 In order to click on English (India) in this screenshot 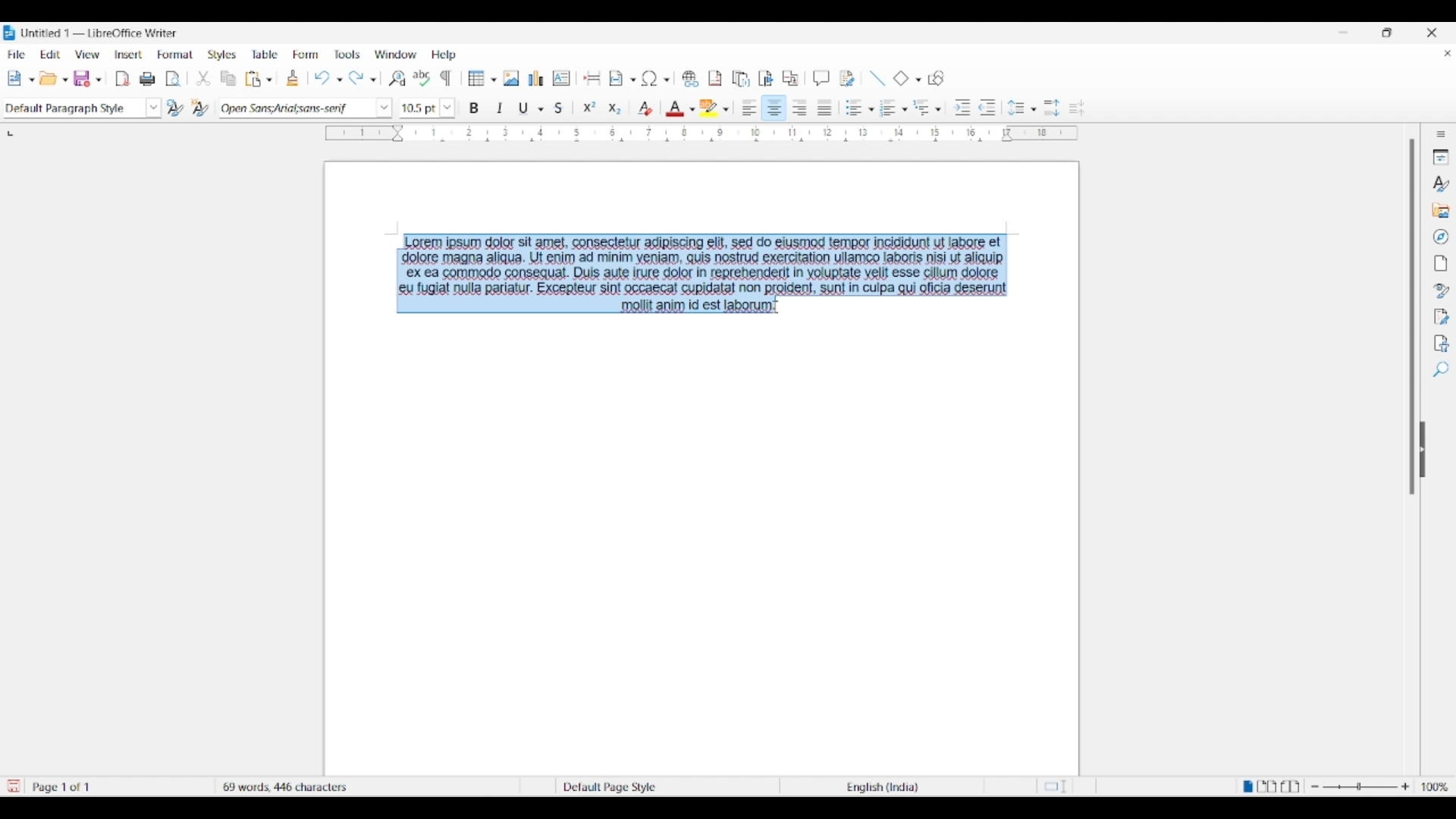, I will do `click(890, 787)`.